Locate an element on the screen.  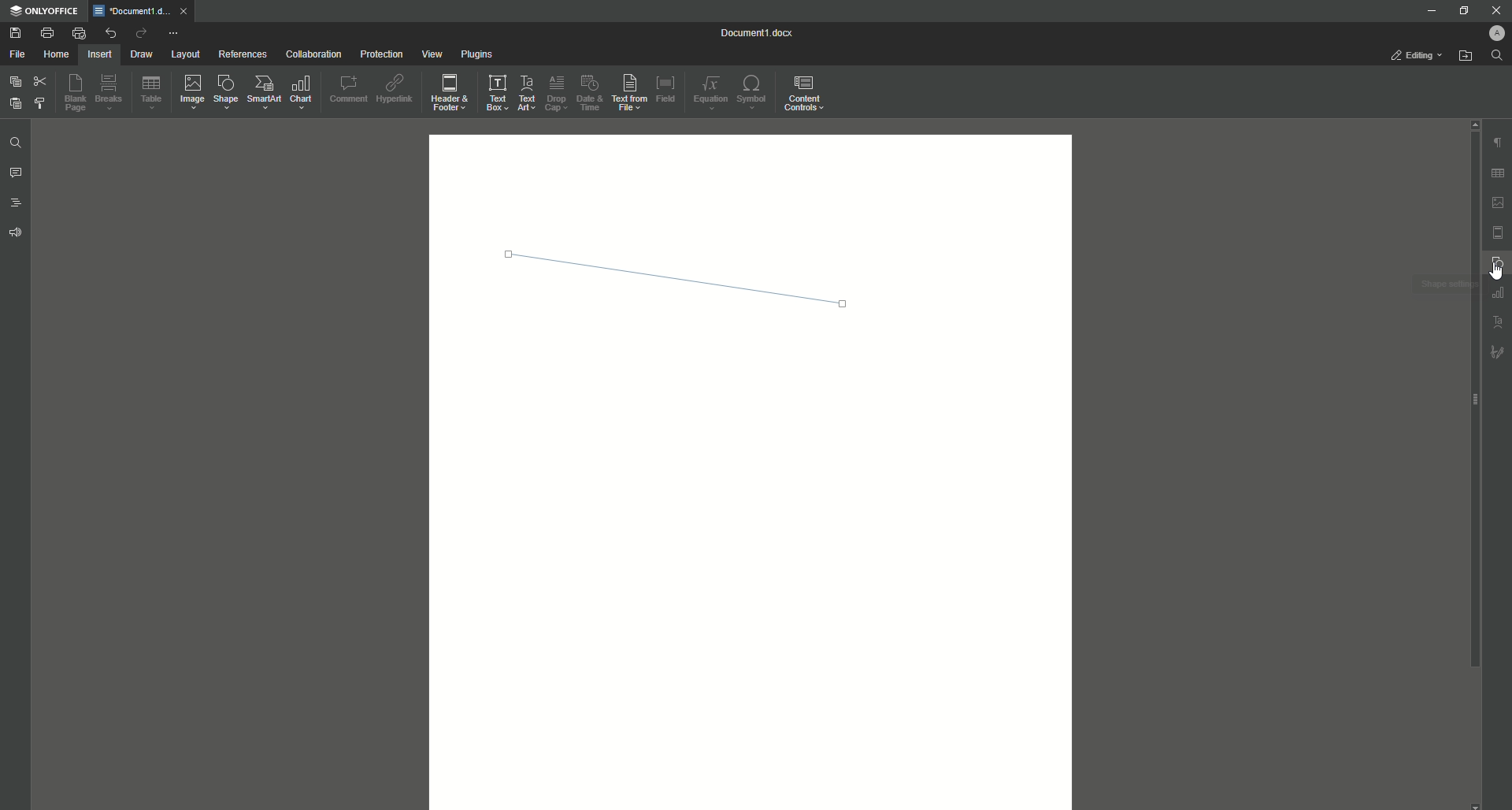
Text From File is located at coordinates (631, 94).